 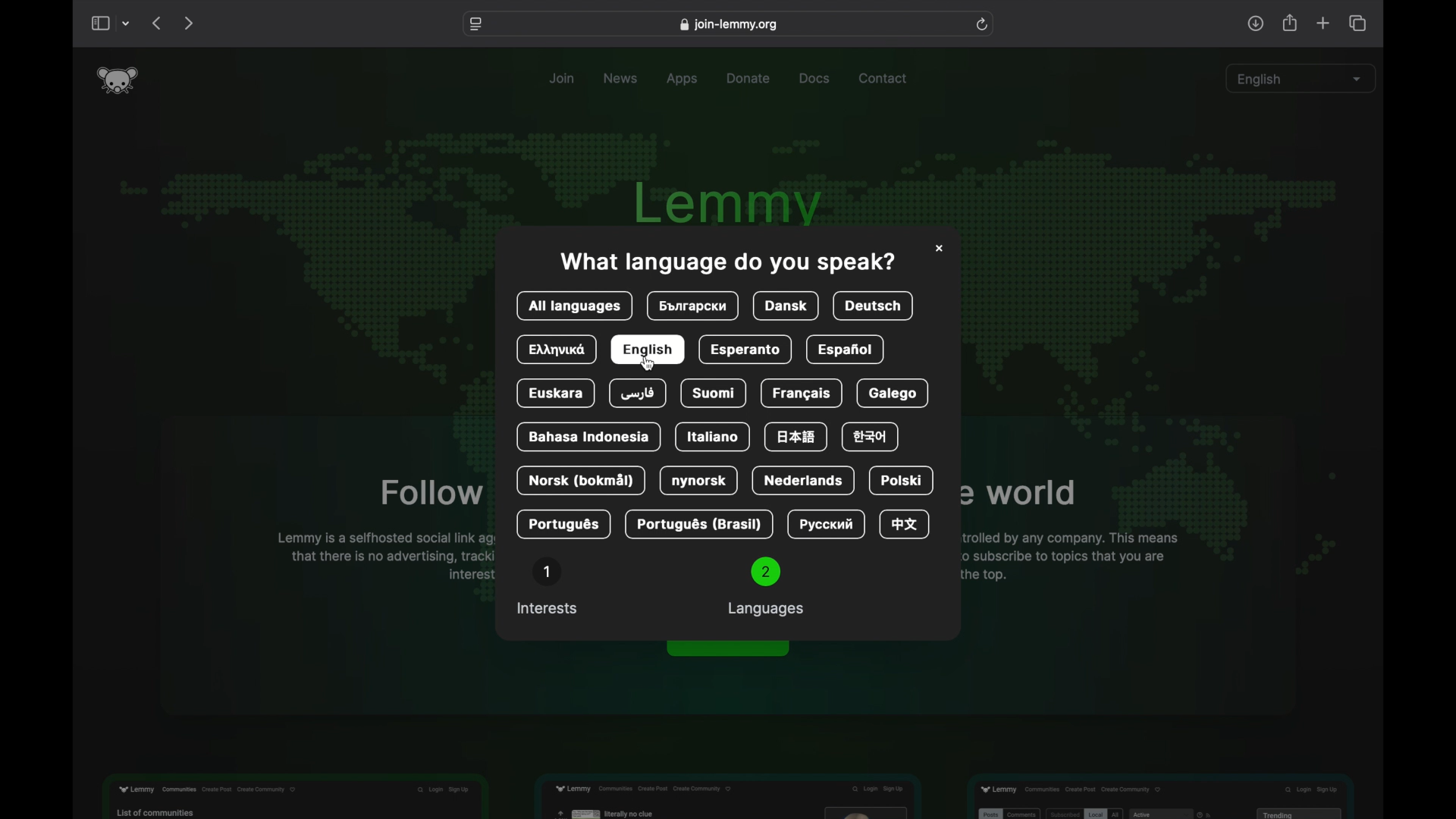 What do you see at coordinates (1300, 79) in the screenshot?
I see `english` at bounding box center [1300, 79].